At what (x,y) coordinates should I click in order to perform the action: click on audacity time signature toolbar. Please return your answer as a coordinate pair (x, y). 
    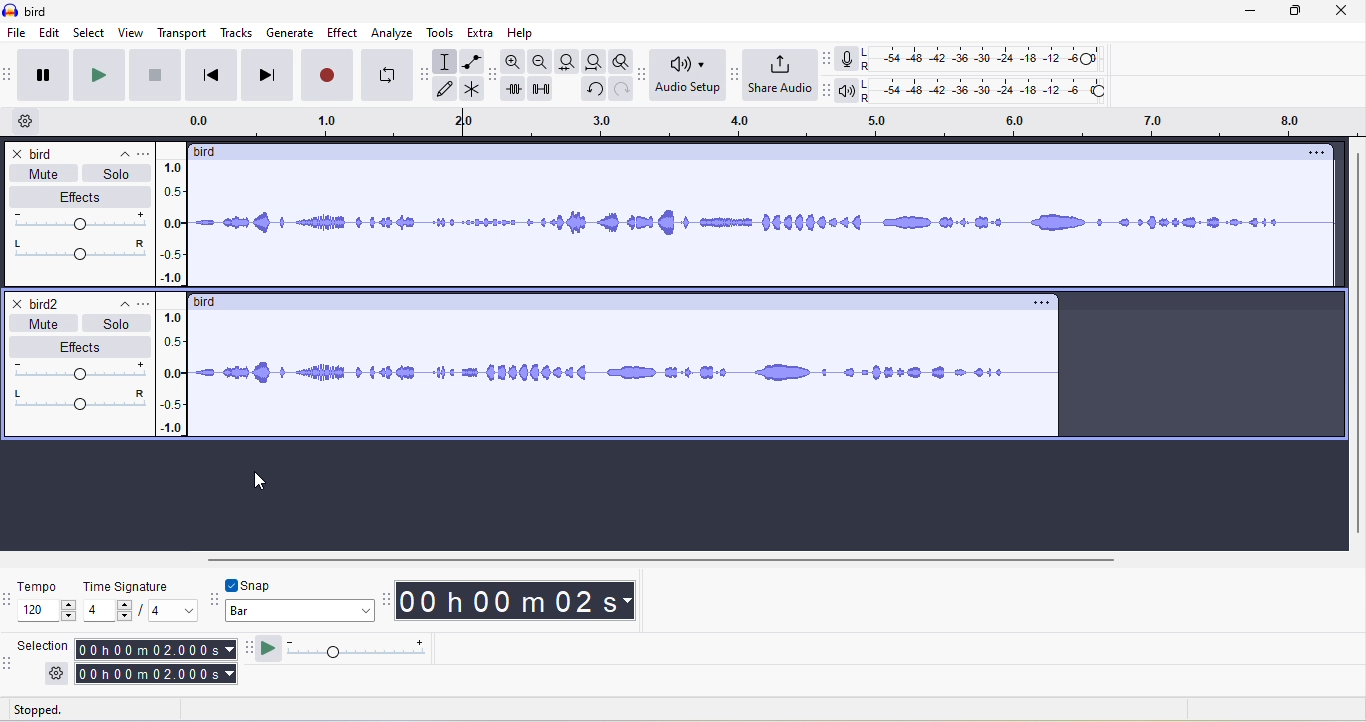
    Looking at the image, I should click on (9, 606).